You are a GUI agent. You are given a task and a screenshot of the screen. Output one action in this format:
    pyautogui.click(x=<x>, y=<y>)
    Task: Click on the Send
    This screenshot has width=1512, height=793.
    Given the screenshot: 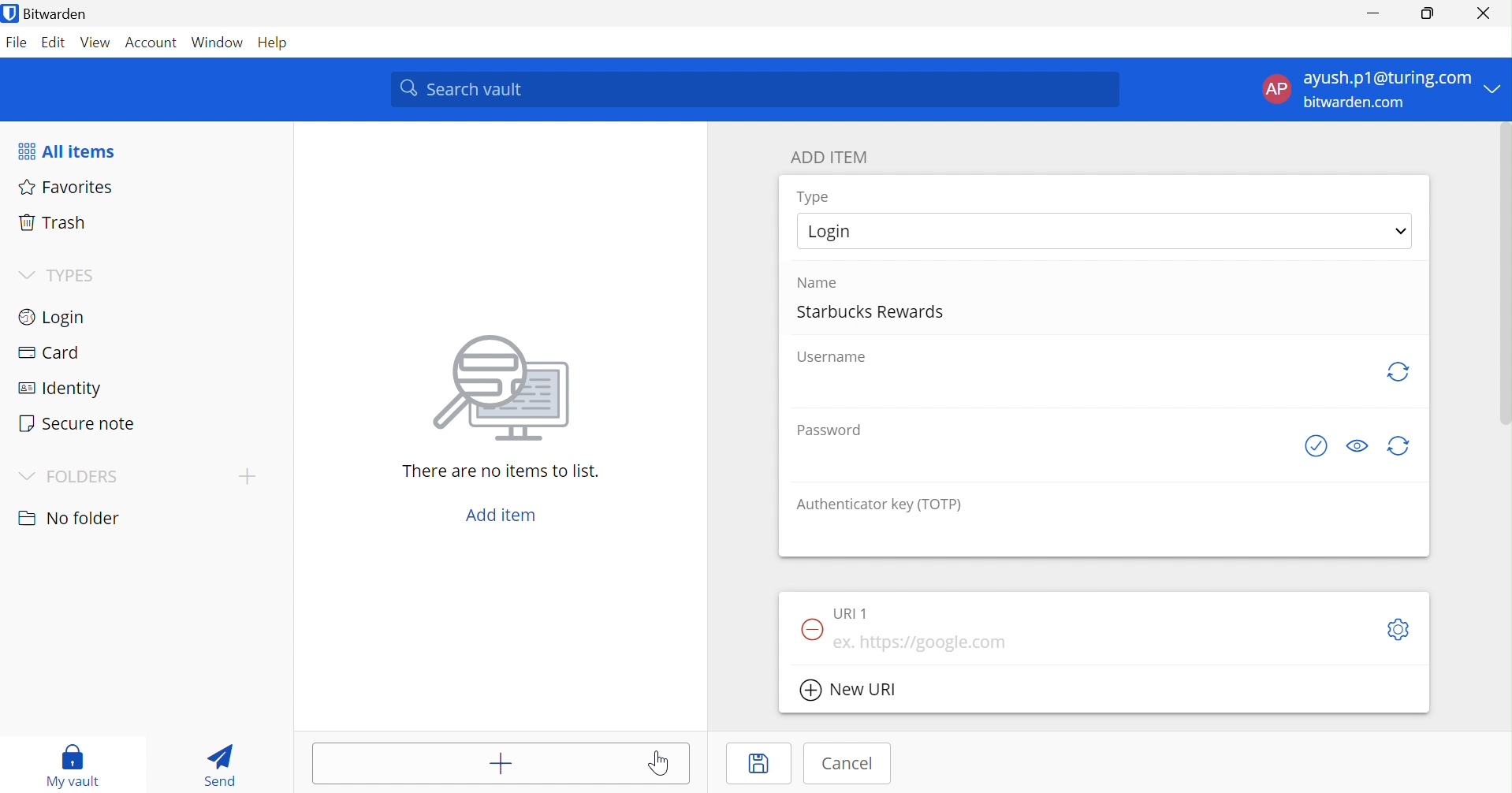 What is the action you would take?
    pyautogui.click(x=224, y=764)
    